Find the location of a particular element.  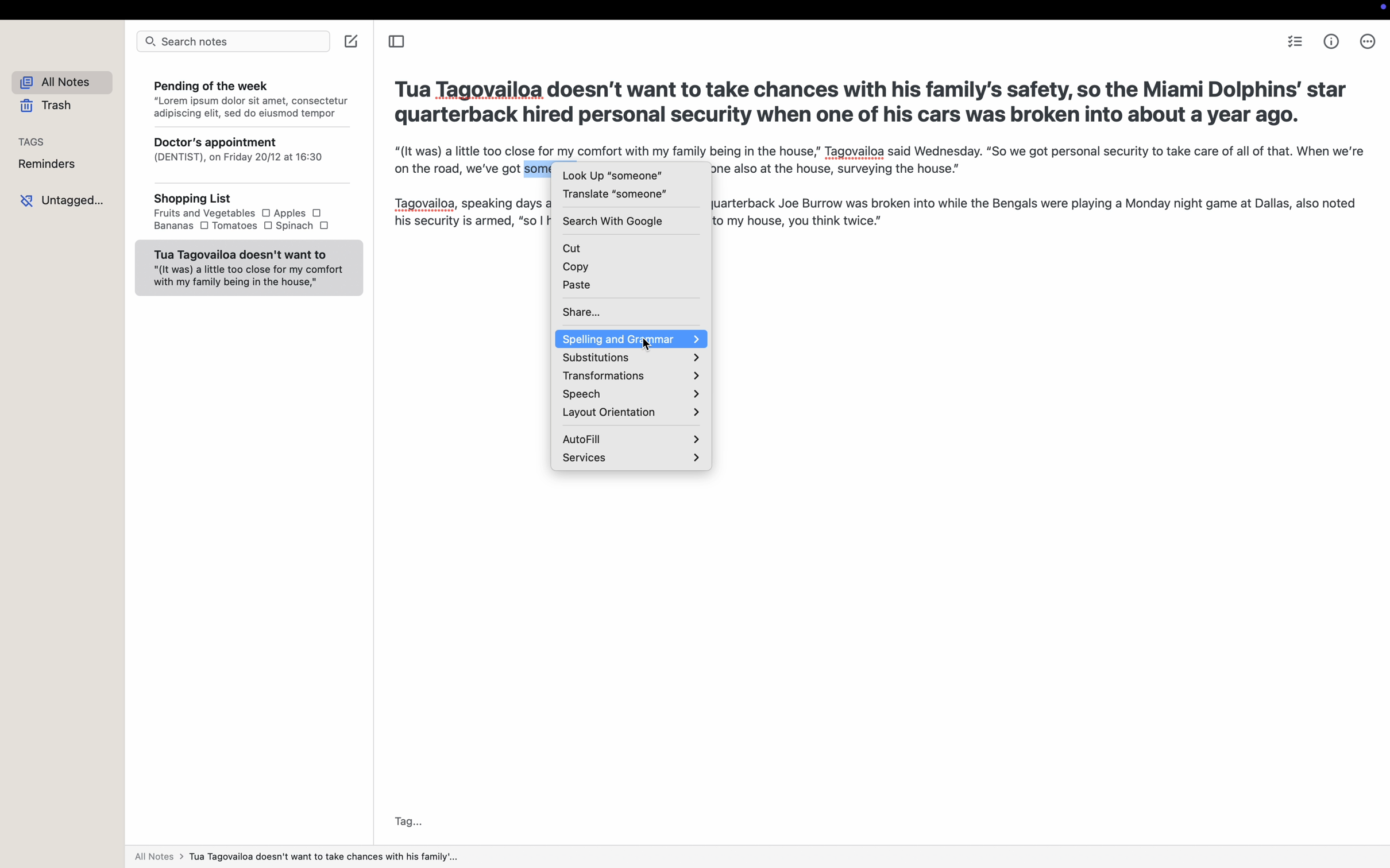

speech is located at coordinates (628, 394).